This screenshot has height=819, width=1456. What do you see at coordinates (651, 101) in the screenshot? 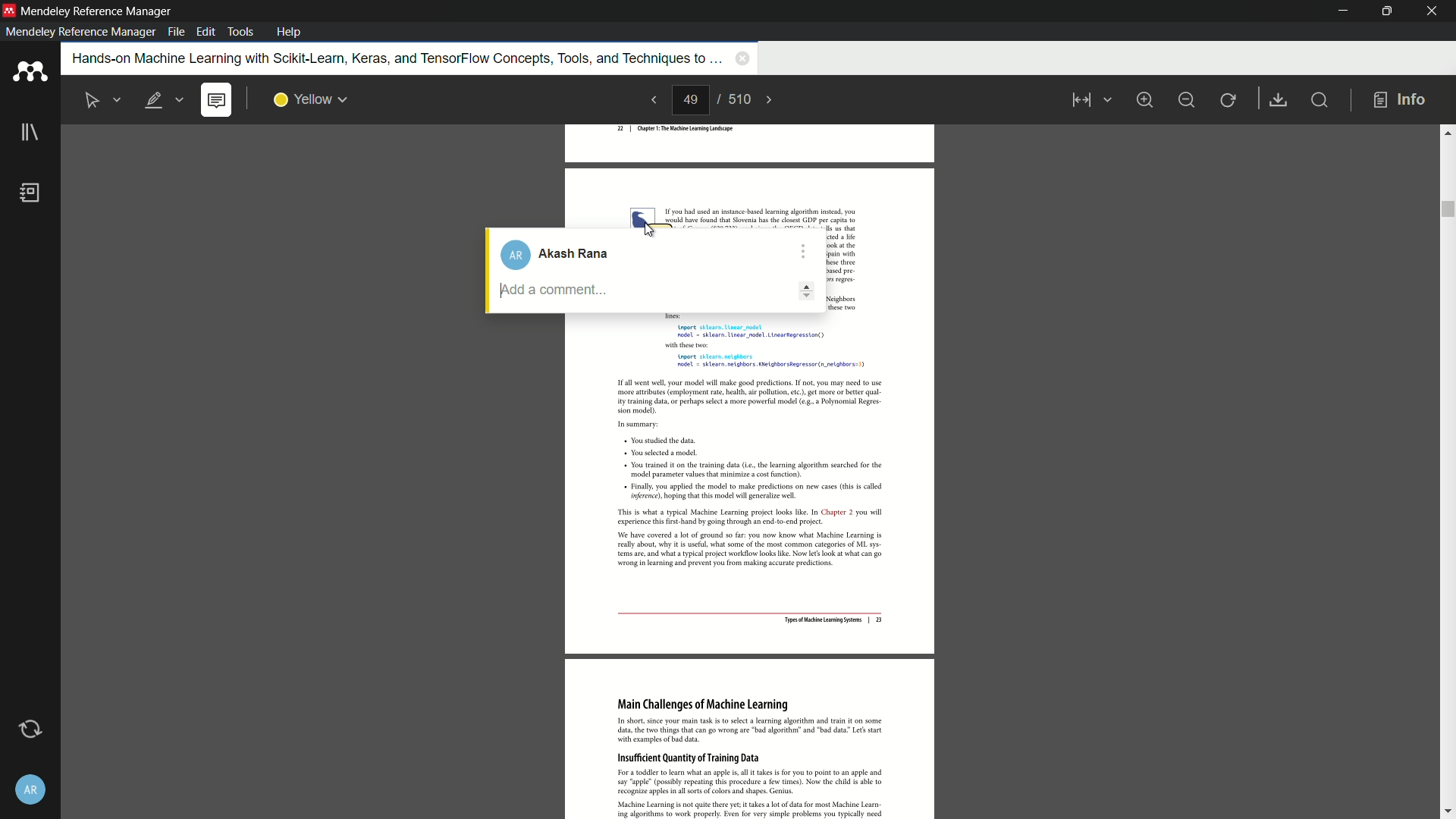
I see `previous page` at bounding box center [651, 101].